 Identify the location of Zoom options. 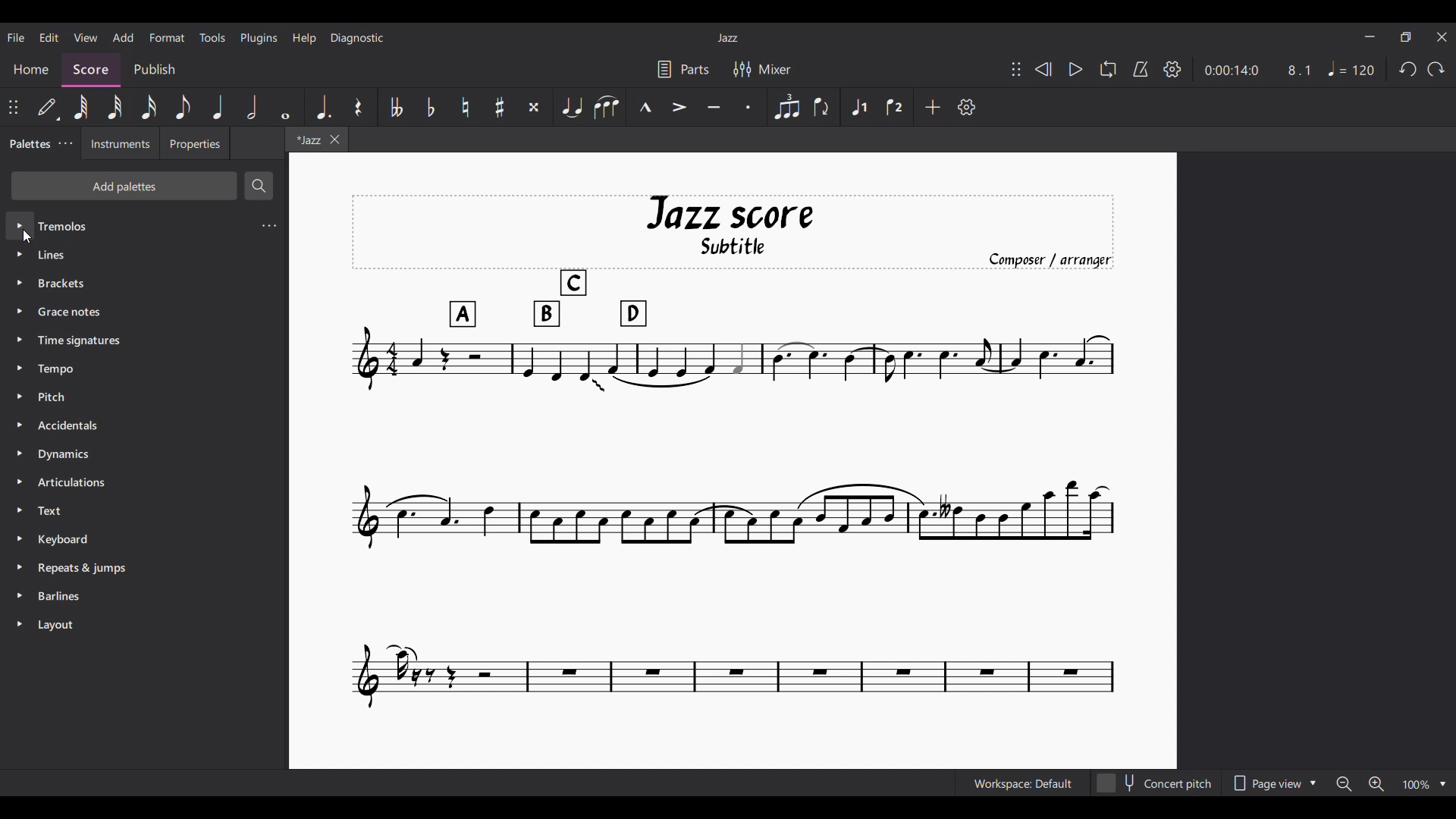
(1424, 783).